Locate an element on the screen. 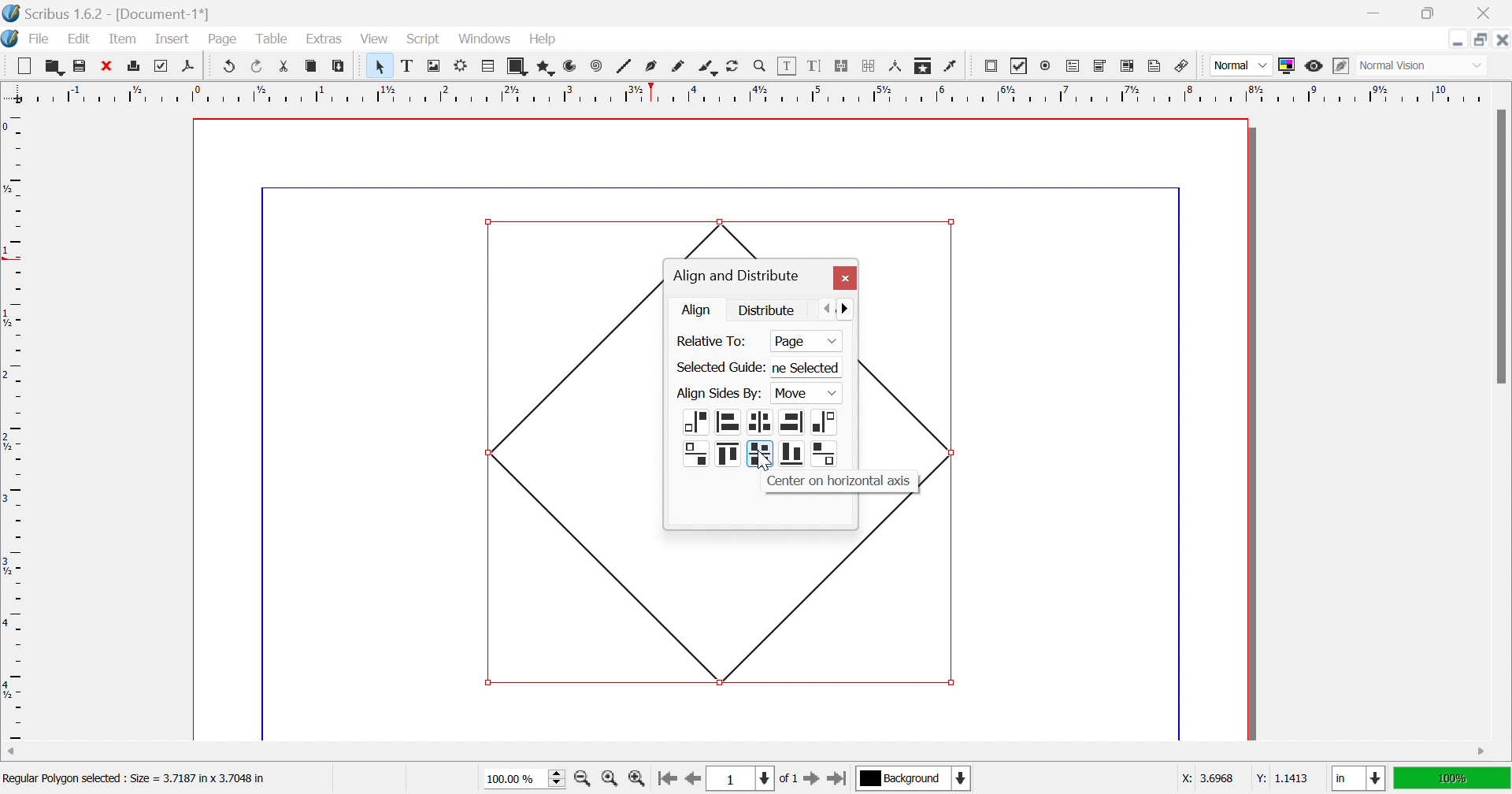 This screenshot has width=1512, height=794. Ruler is located at coordinates (14, 425).